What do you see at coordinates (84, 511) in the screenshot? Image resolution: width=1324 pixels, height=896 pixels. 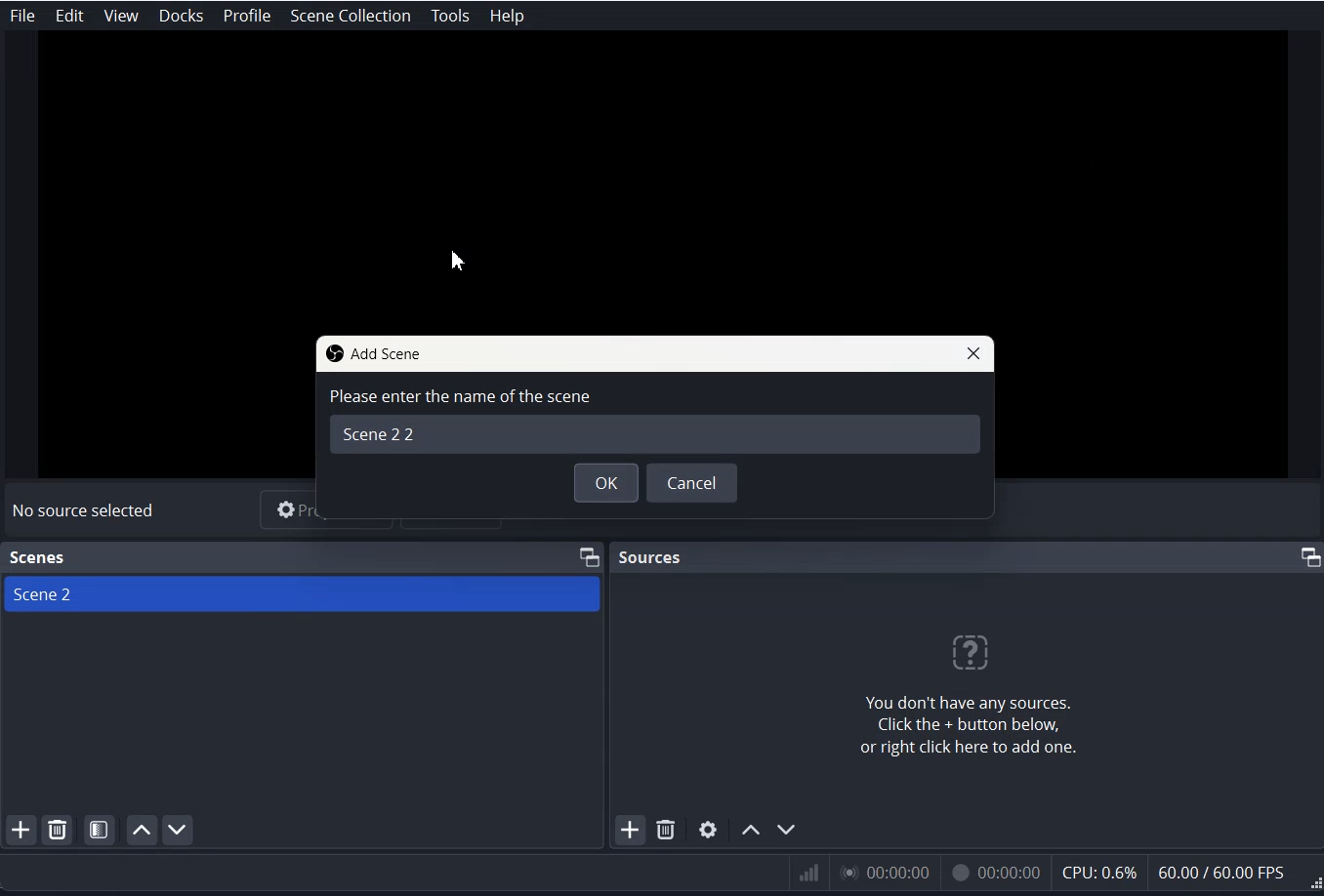 I see `No source selected` at bounding box center [84, 511].